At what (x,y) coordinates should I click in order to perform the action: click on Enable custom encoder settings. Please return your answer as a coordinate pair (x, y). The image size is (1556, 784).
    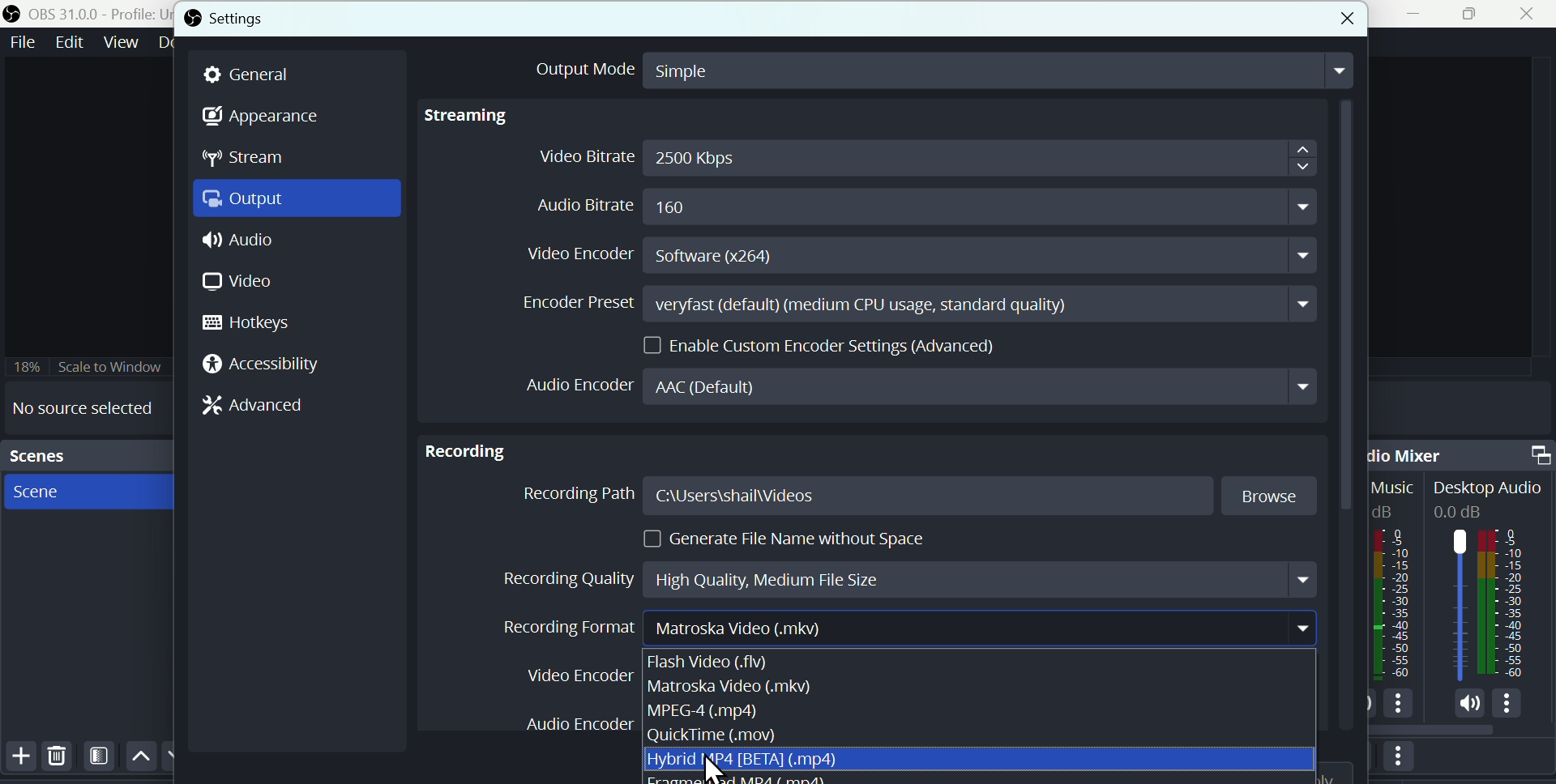
    Looking at the image, I should click on (816, 346).